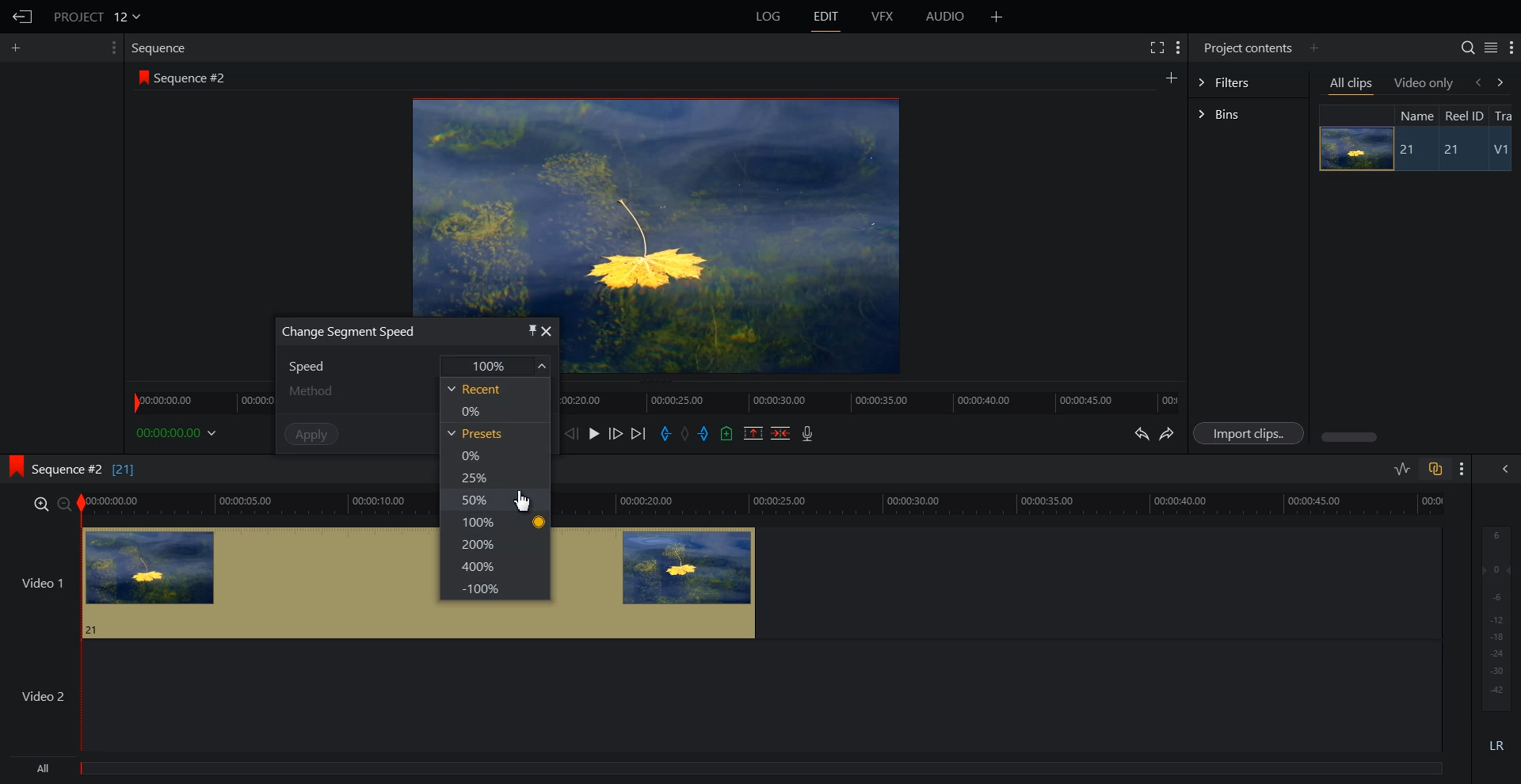 This screenshot has height=784, width=1521. I want to click on Add panel, so click(20, 48).